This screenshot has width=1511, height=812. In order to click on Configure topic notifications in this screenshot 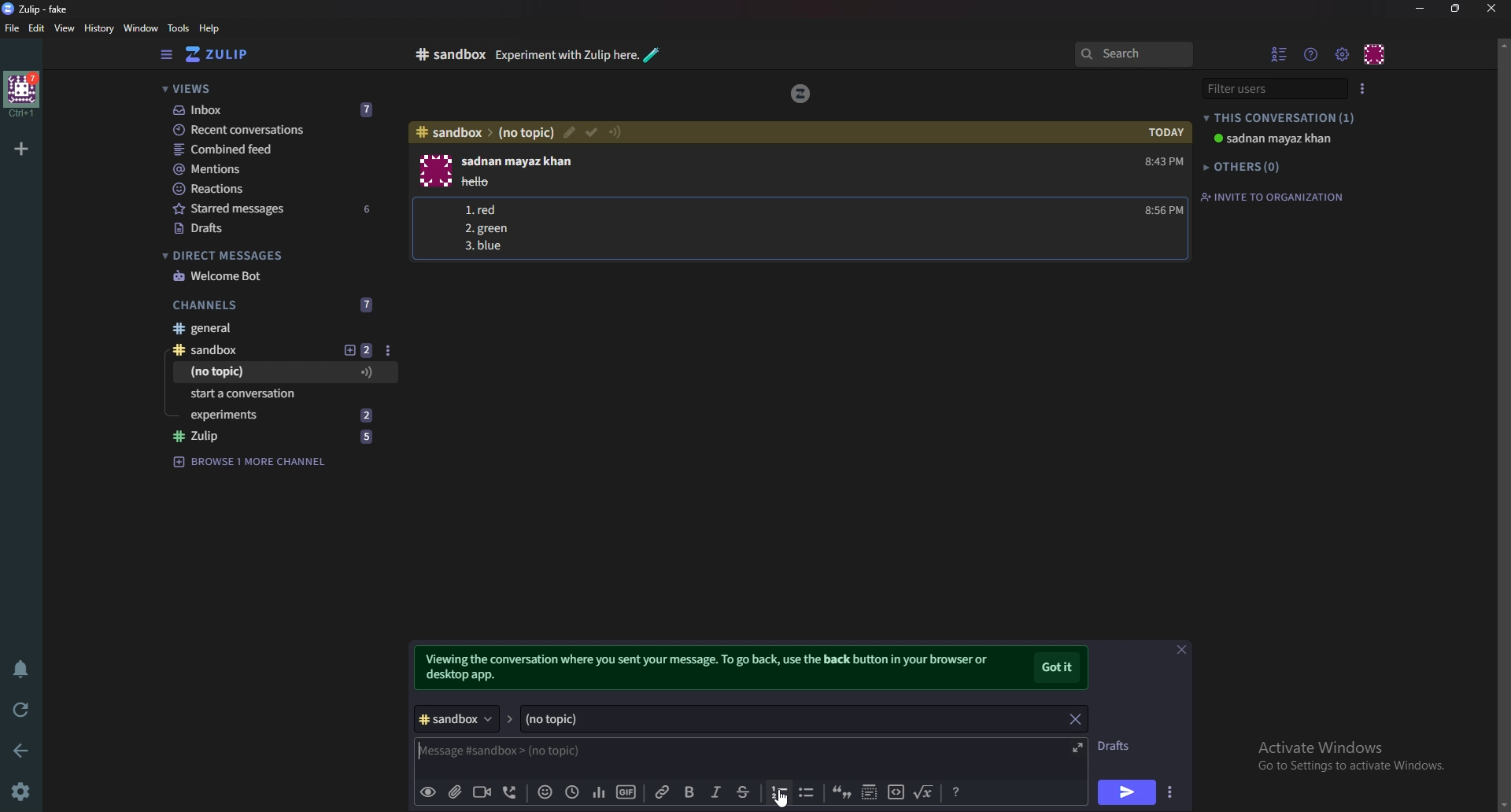, I will do `click(368, 372)`.